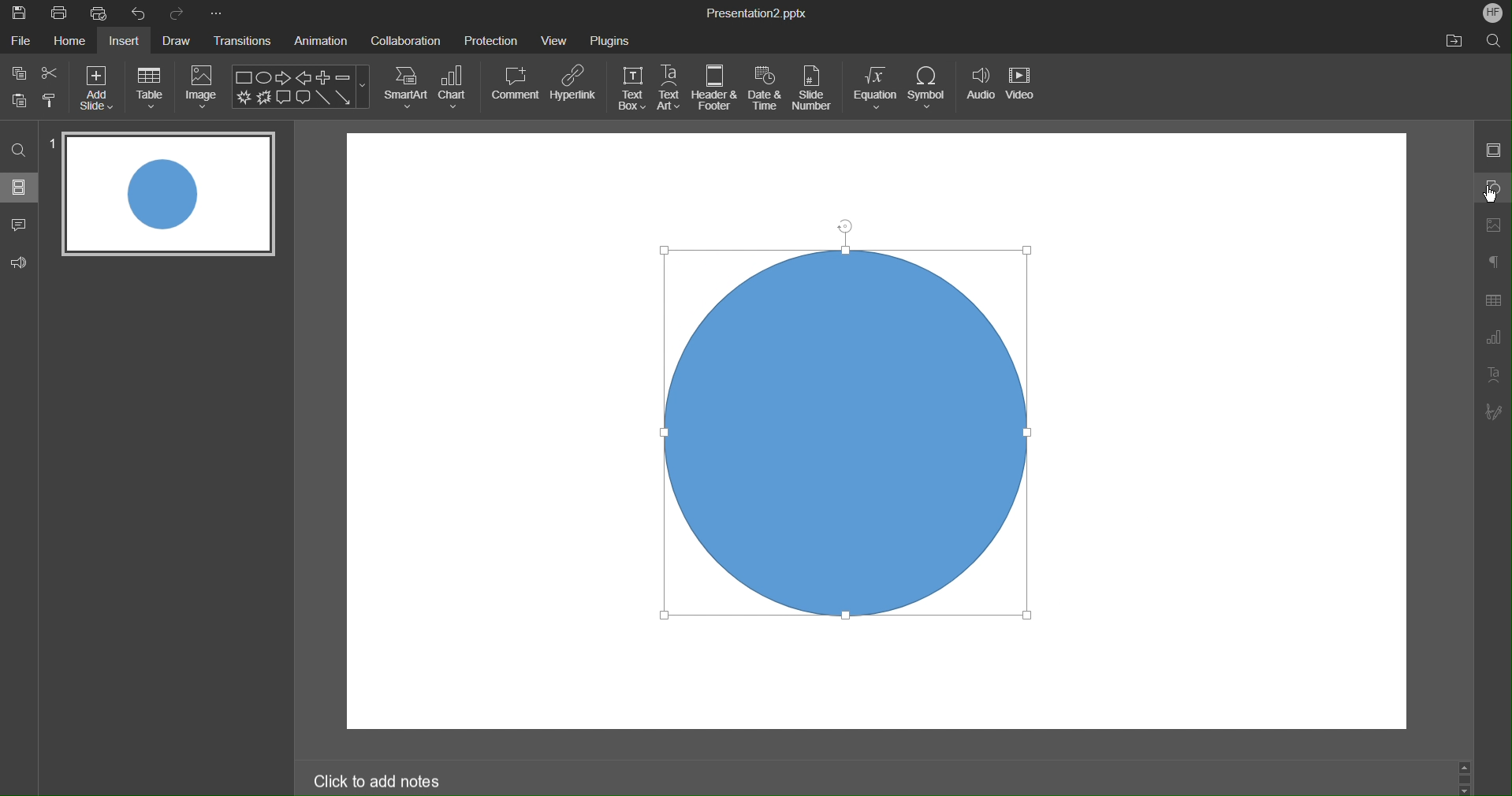 Image resolution: width=1512 pixels, height=796 pixels. I want to click on Text Art, so click(670, 88).